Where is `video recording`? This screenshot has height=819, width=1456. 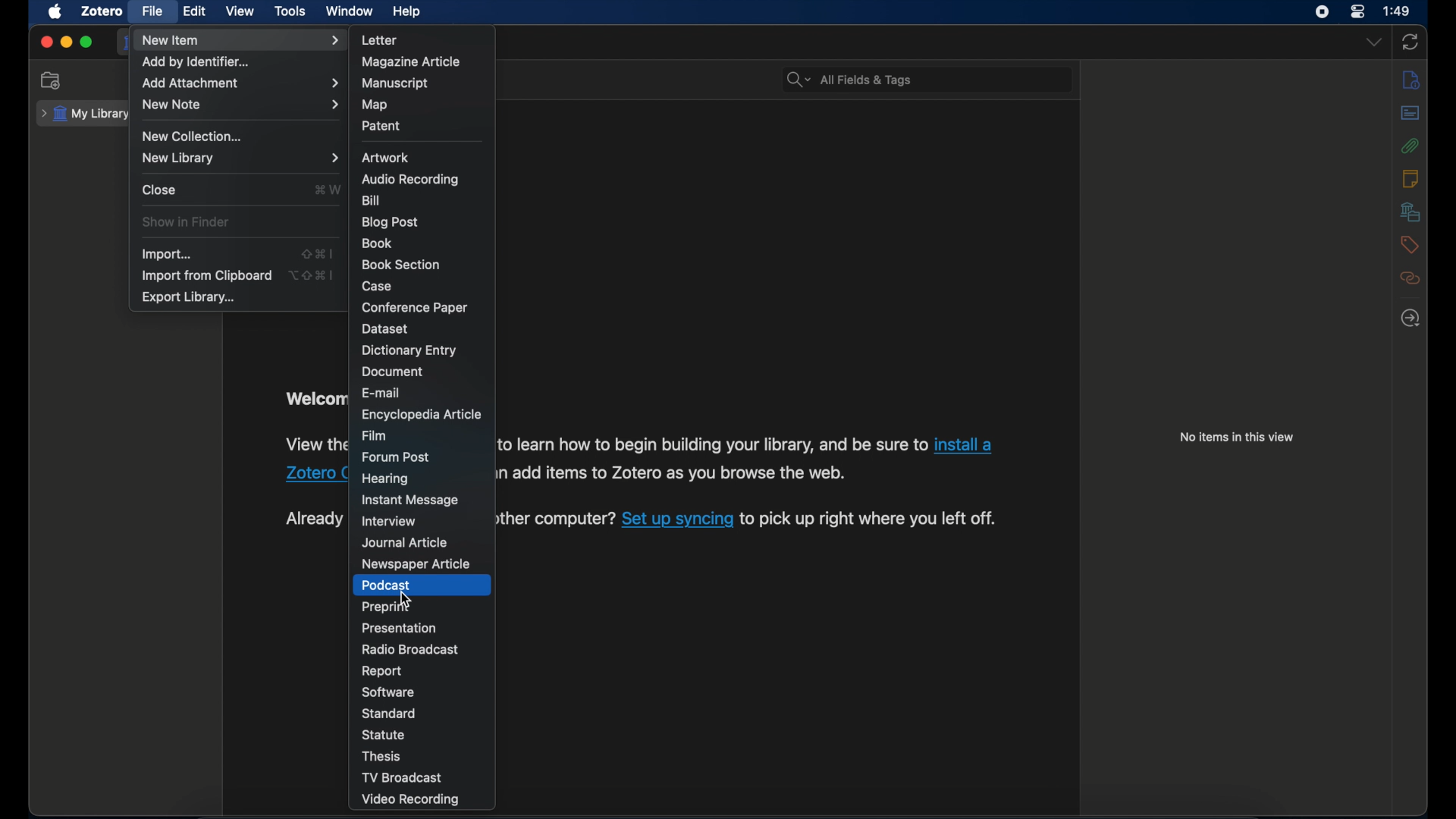 video recording is located at coordinates (411, 800).